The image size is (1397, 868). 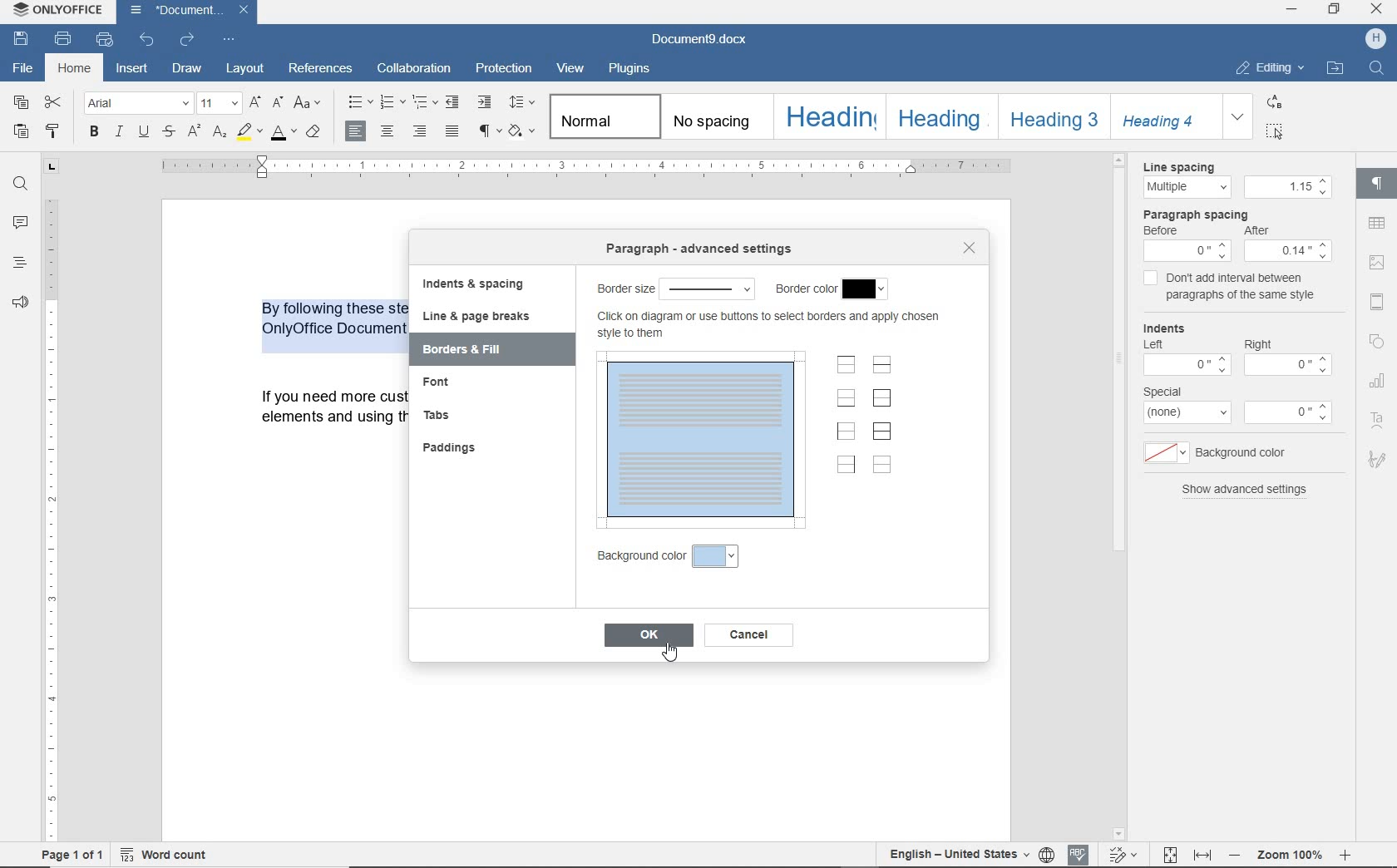 What do you see at coordinates (638, 556) in the screenshot?
I see `background color` at bounding box center [638, 556].